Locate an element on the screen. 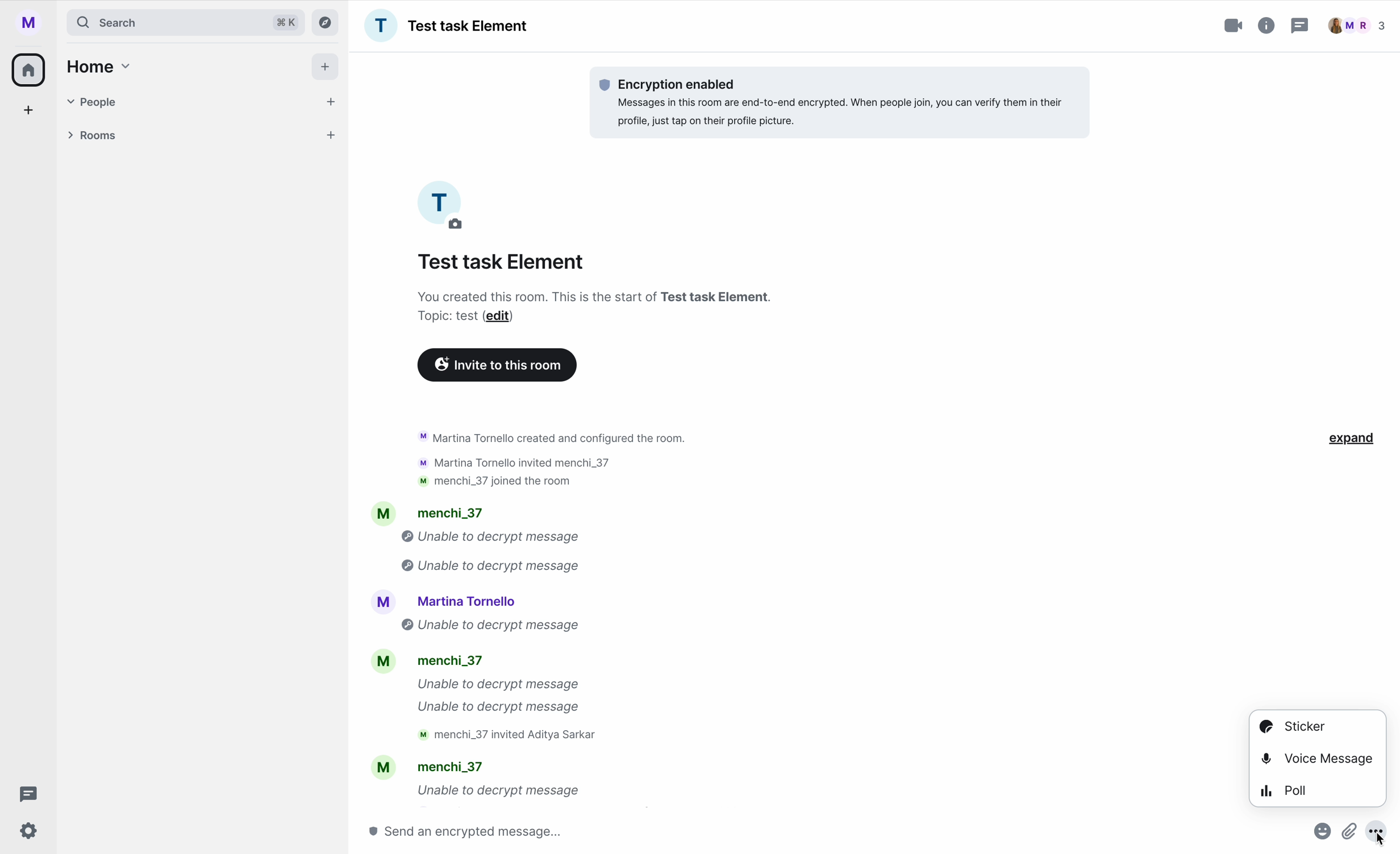 The height and width of the screenshot is (854, 1400). attach files is located at coordinates (1351, 836).